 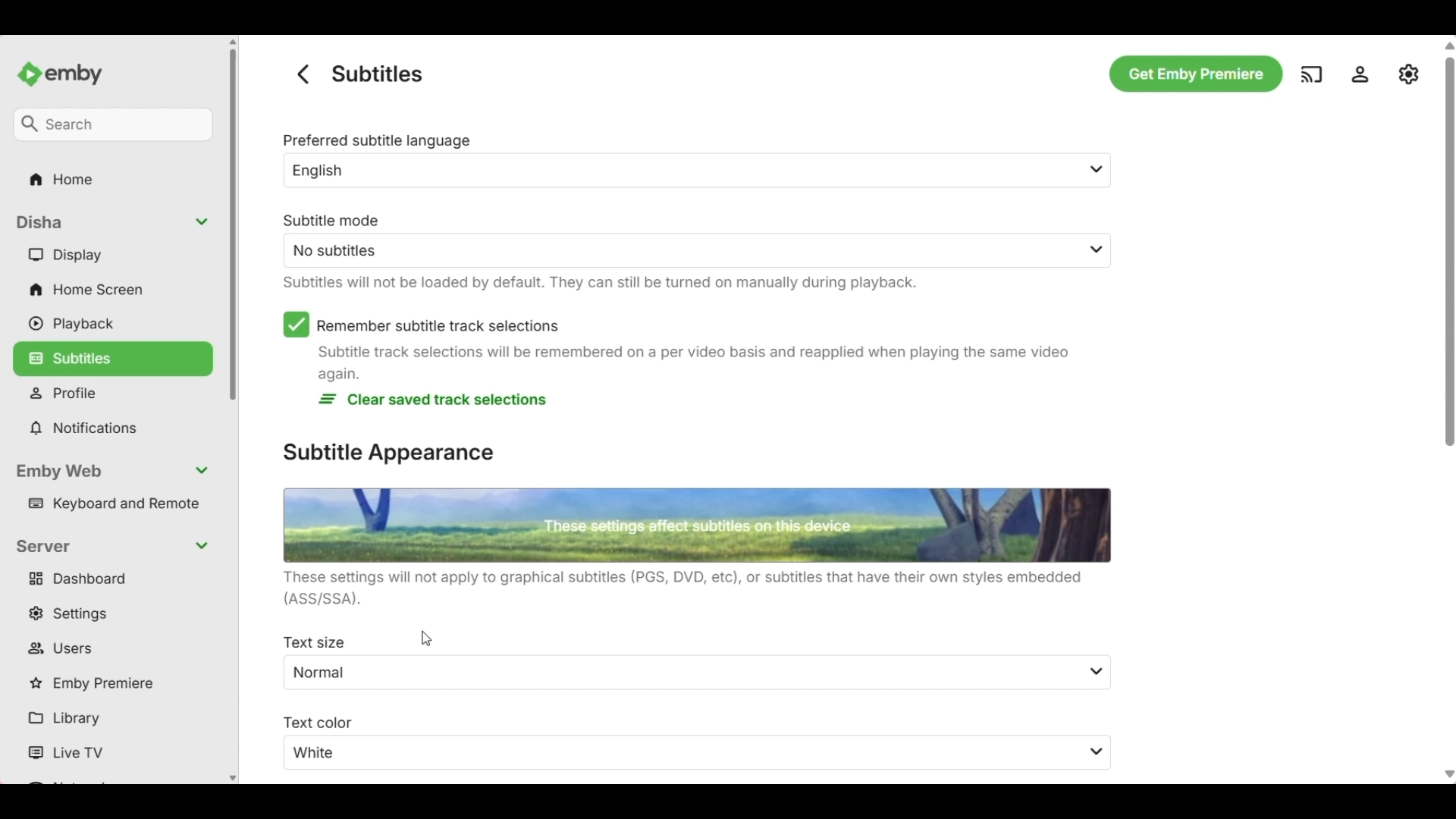 I want to click on Settings, so click(x=116, y=613).